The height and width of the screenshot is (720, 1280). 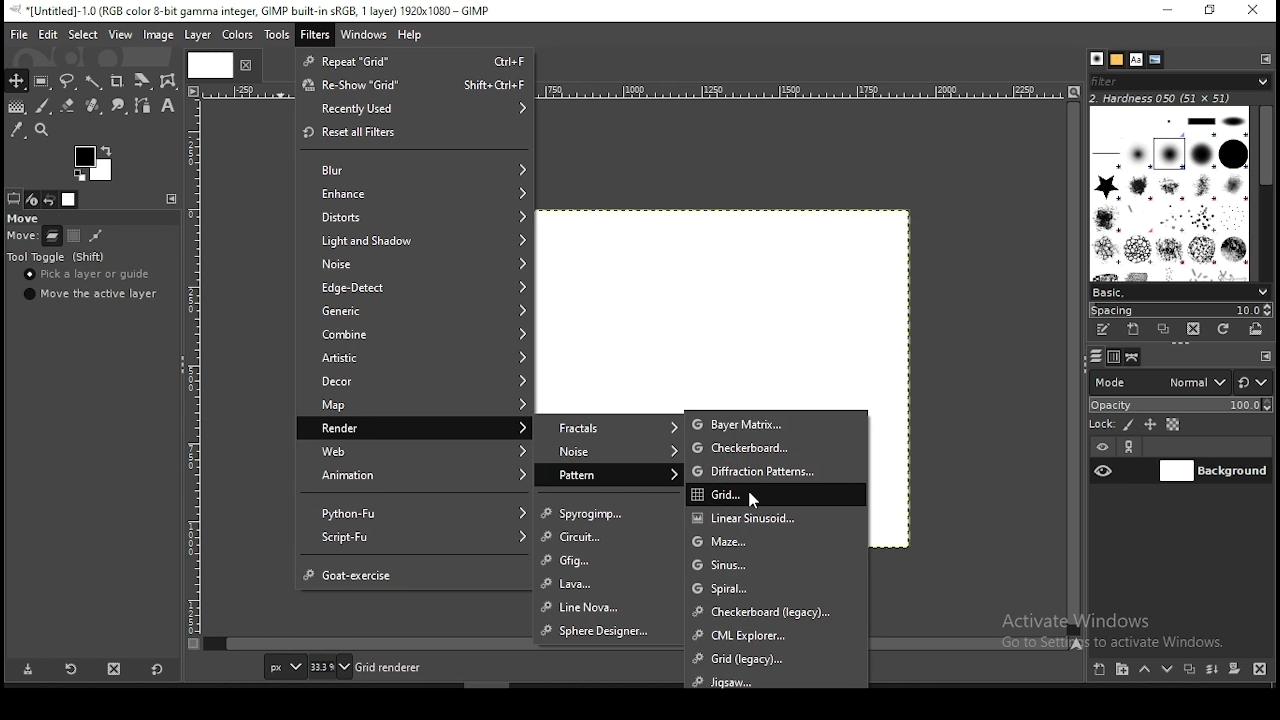 I want to click on enhance, so click(x=414, y=192).